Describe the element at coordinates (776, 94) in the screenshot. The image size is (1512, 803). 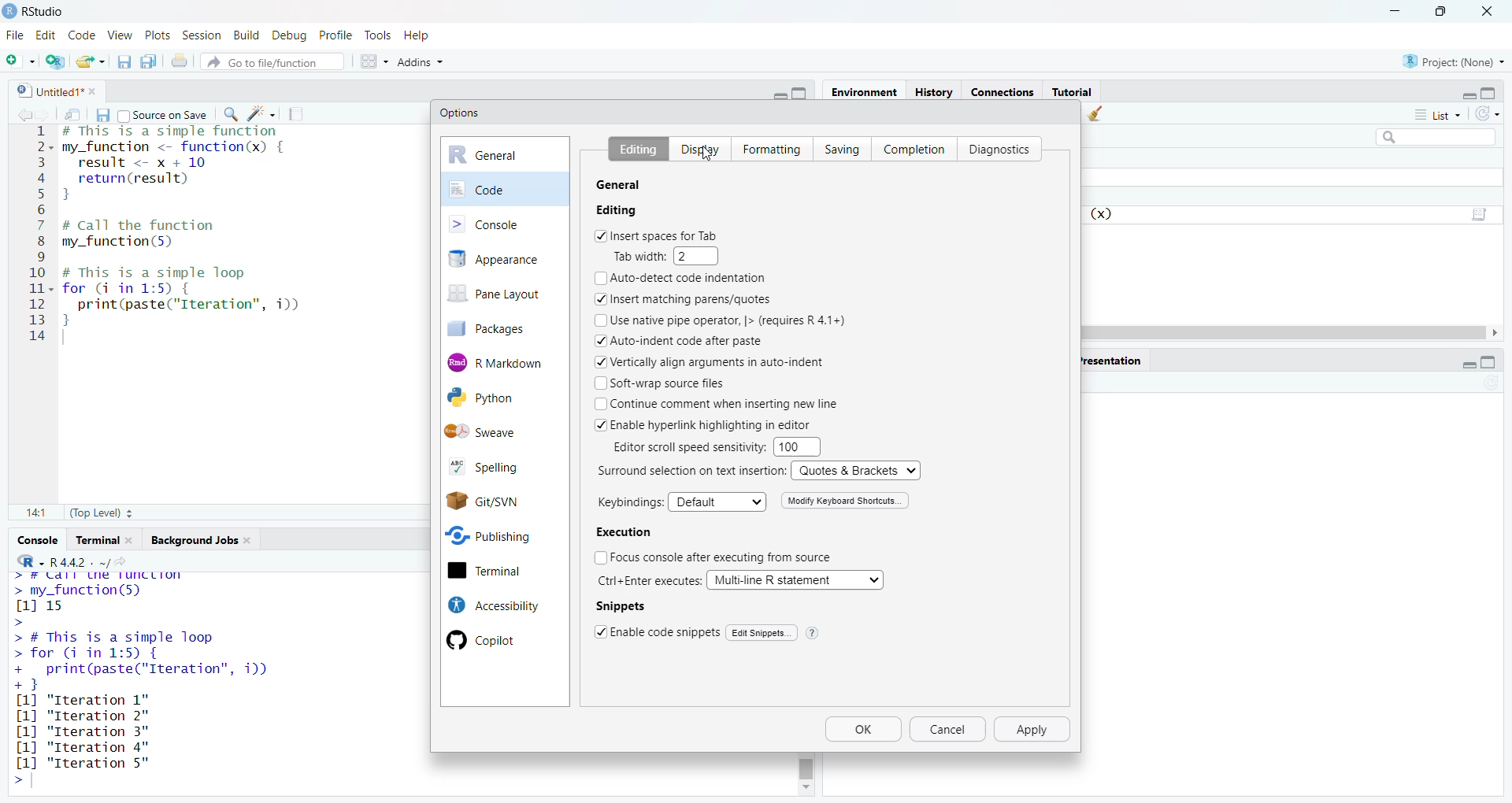
I see `minimize` at that location.